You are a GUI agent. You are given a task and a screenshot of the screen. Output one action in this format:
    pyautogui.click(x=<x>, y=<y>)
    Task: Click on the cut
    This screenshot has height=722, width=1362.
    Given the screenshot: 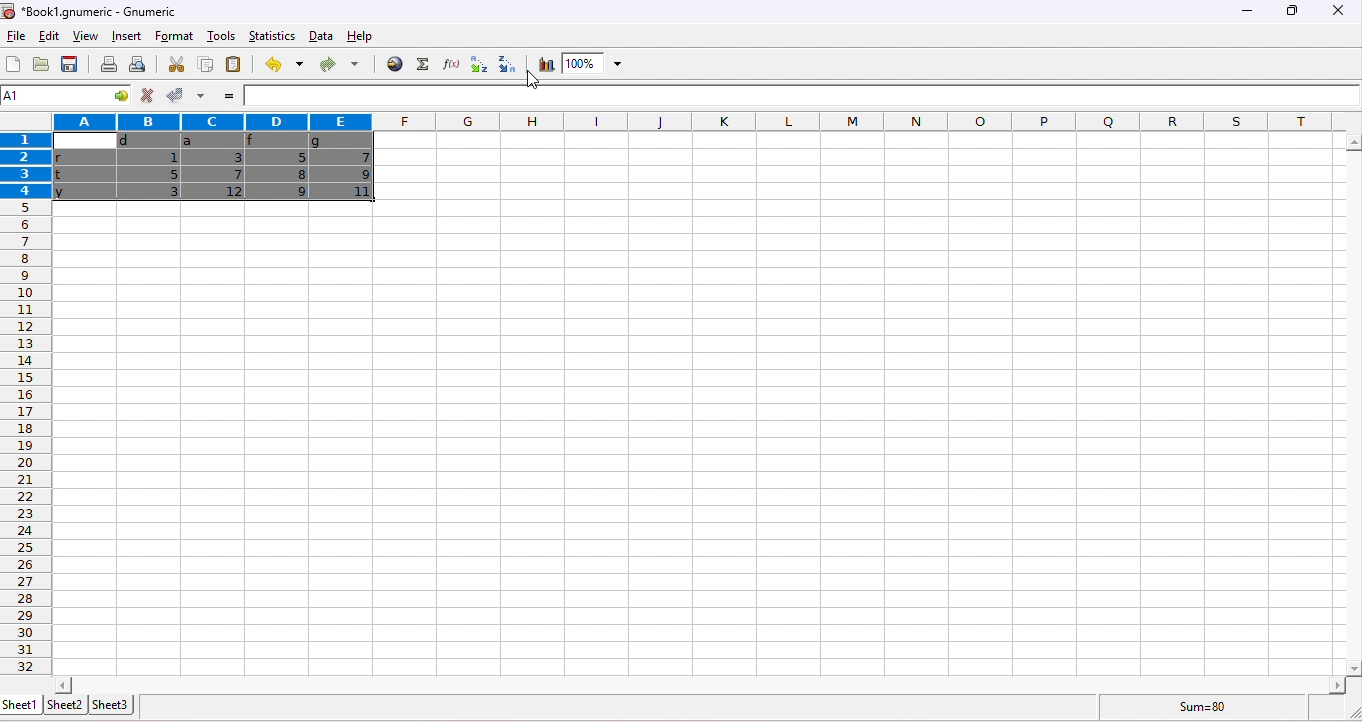 What is the action you would take?
    pyautogui.click(x=179, y=64)
    